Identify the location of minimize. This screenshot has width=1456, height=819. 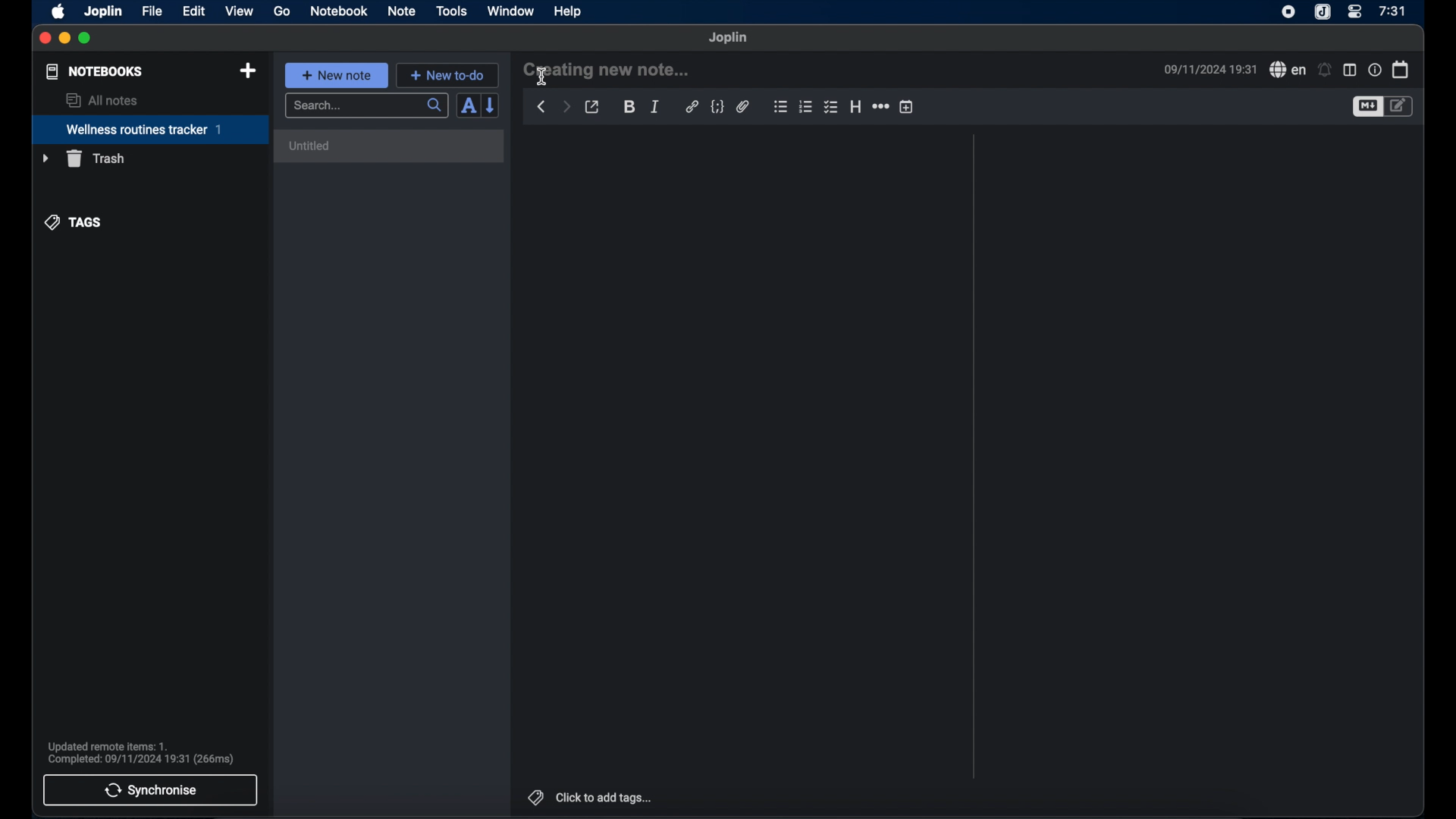
(65, 39).